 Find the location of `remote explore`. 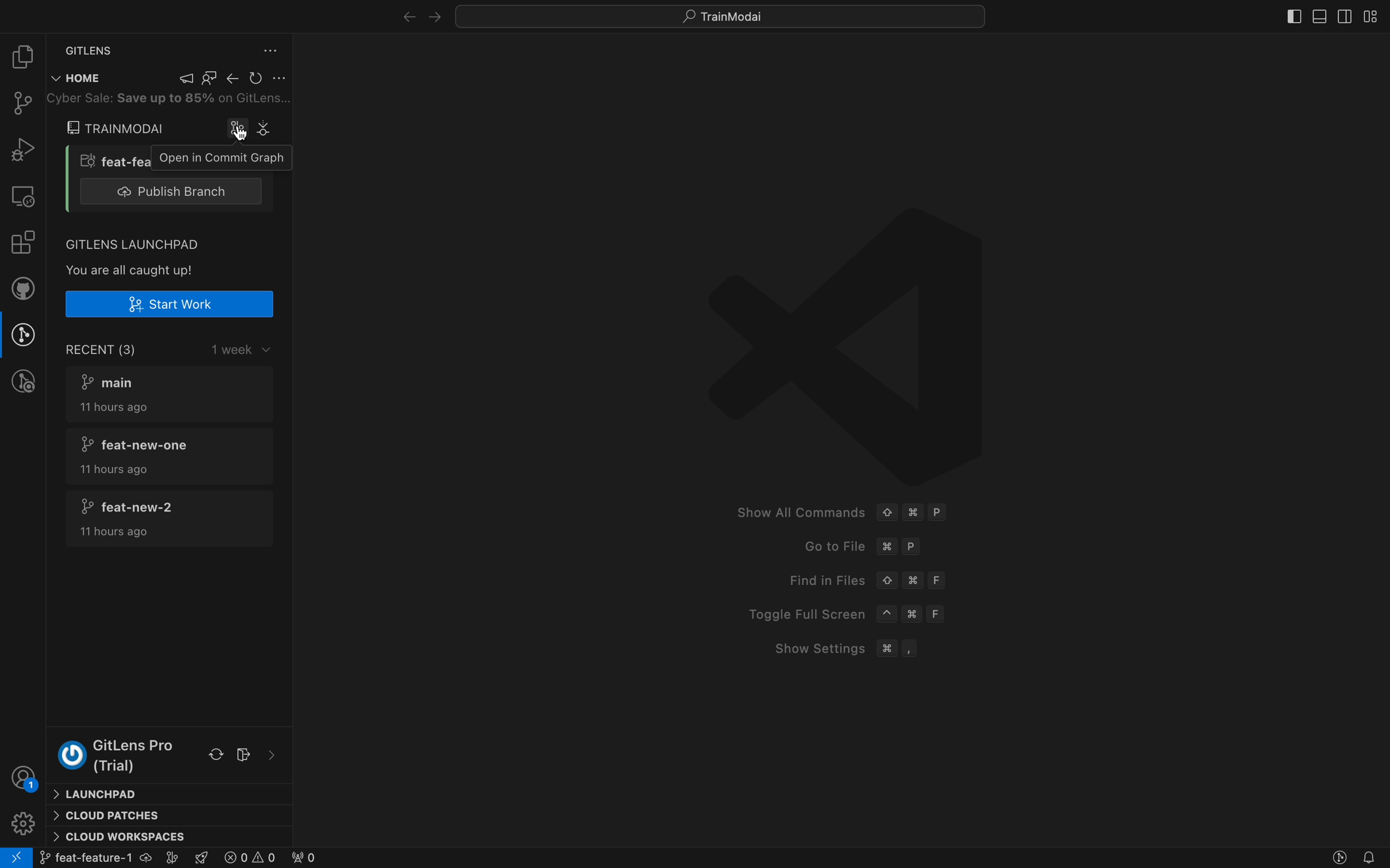

remote explore is located at coordinates (24, 196).